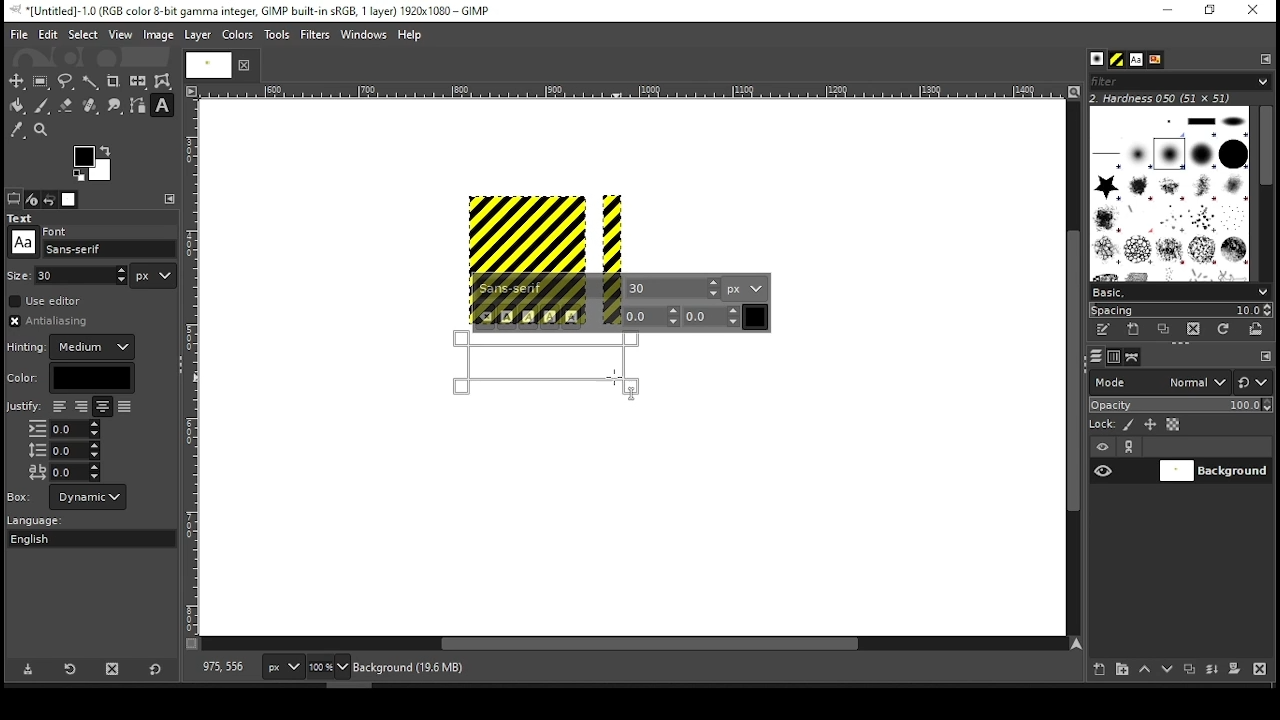 Image resolution: width=1280 pixels, height=720 pixels. I want to click on smudge tool, so click(116, 106).